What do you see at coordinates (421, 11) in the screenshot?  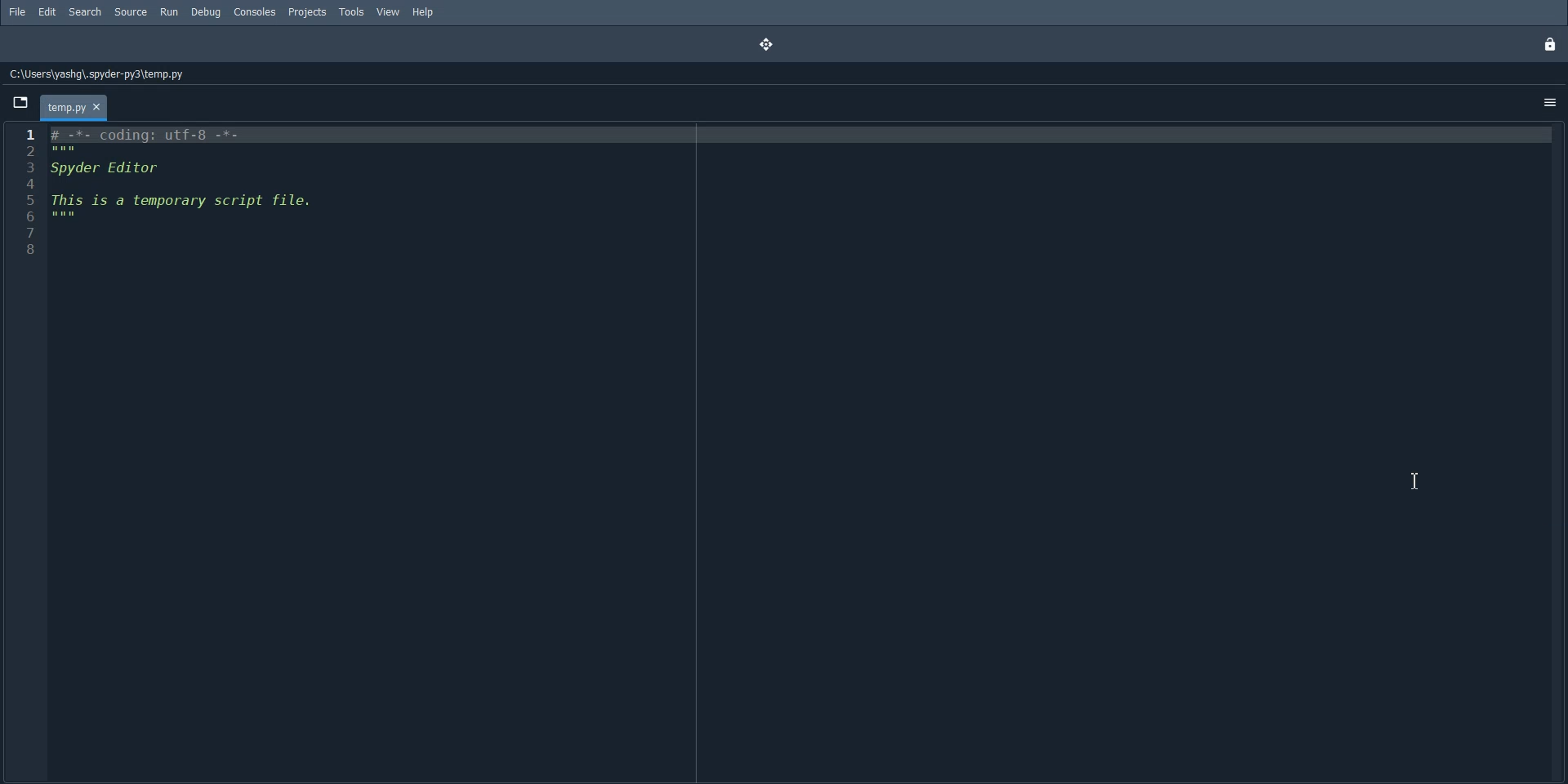 I see `Help` at bounding box center [421, 11].